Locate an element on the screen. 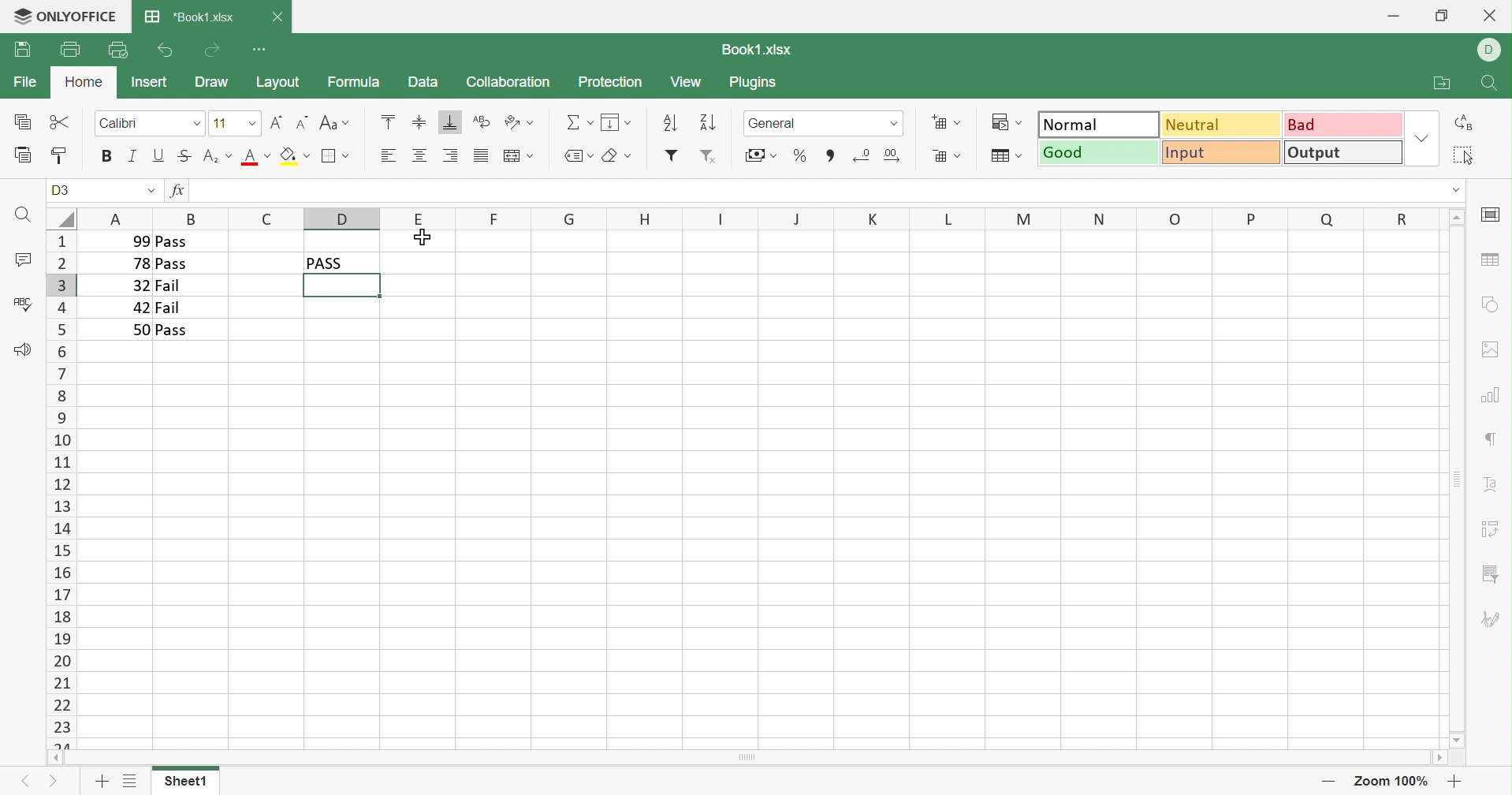 The height and width of the screenshot is (795, 1512). Save is located at coordinates (22, 50).